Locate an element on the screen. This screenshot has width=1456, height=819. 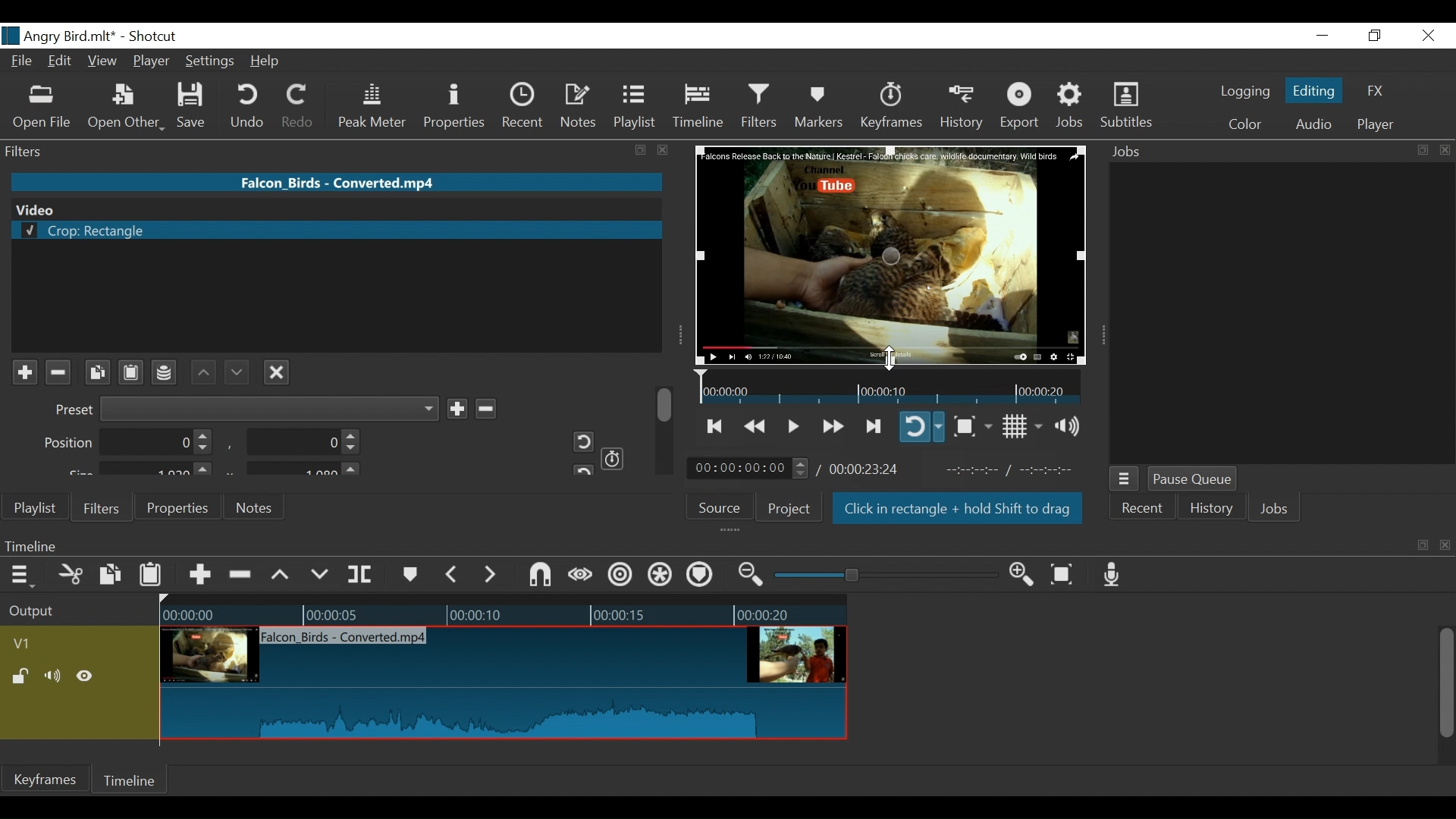
Video Track Name is located at coordinates (66, 645).